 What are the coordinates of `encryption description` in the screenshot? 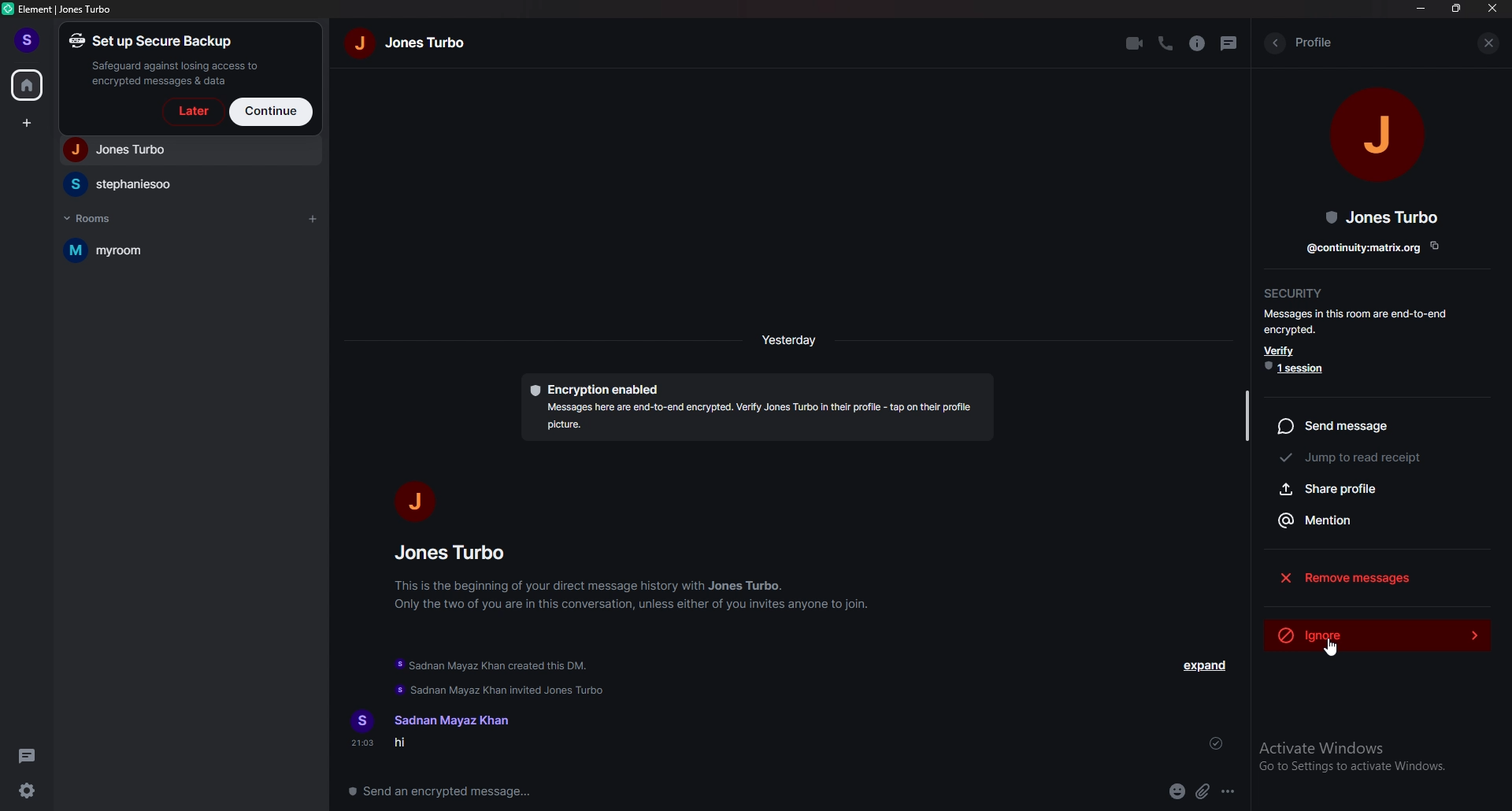 It's located at (757, 409).